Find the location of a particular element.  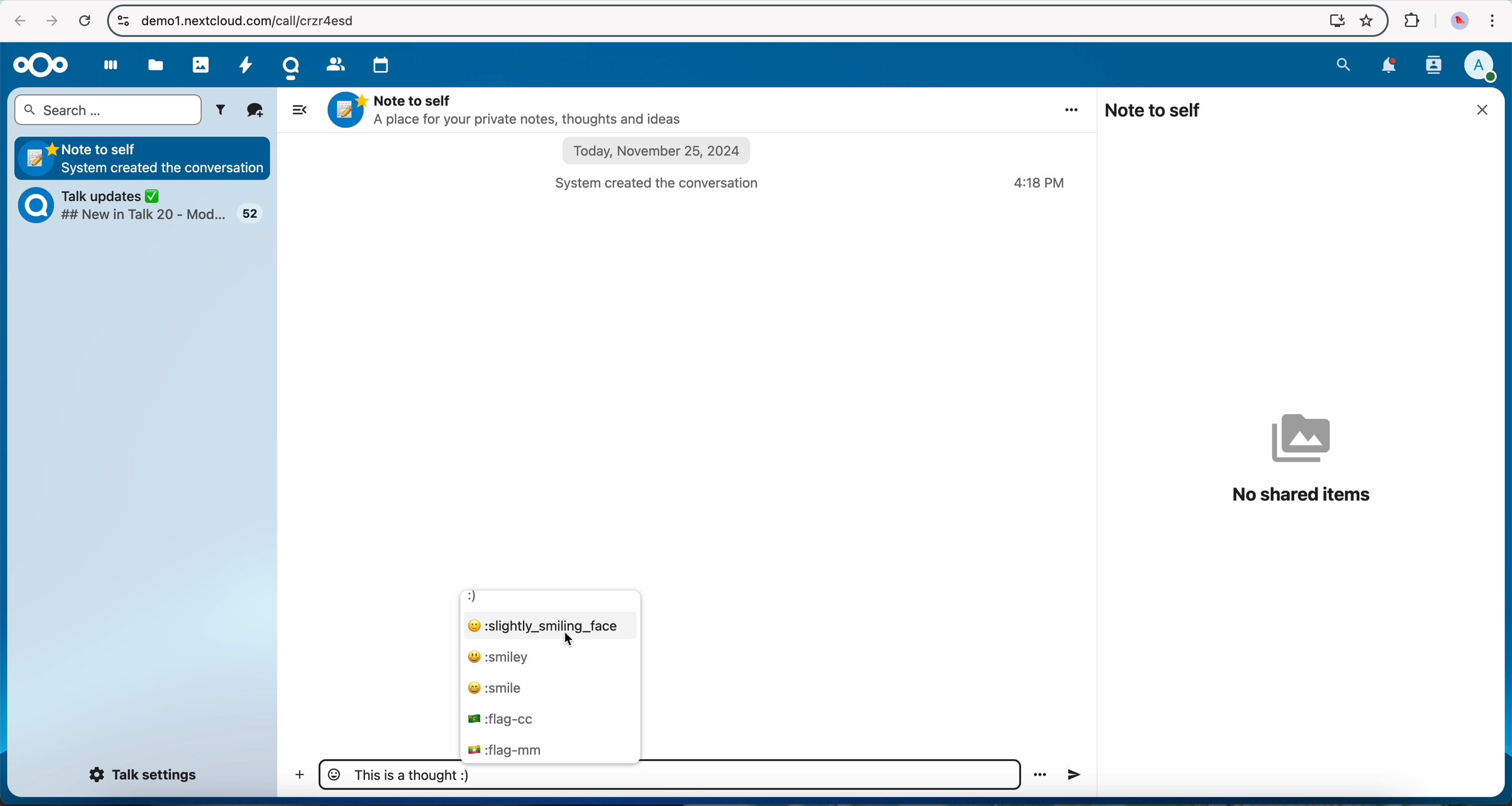

Note to self is located at coordinates (509, 110).